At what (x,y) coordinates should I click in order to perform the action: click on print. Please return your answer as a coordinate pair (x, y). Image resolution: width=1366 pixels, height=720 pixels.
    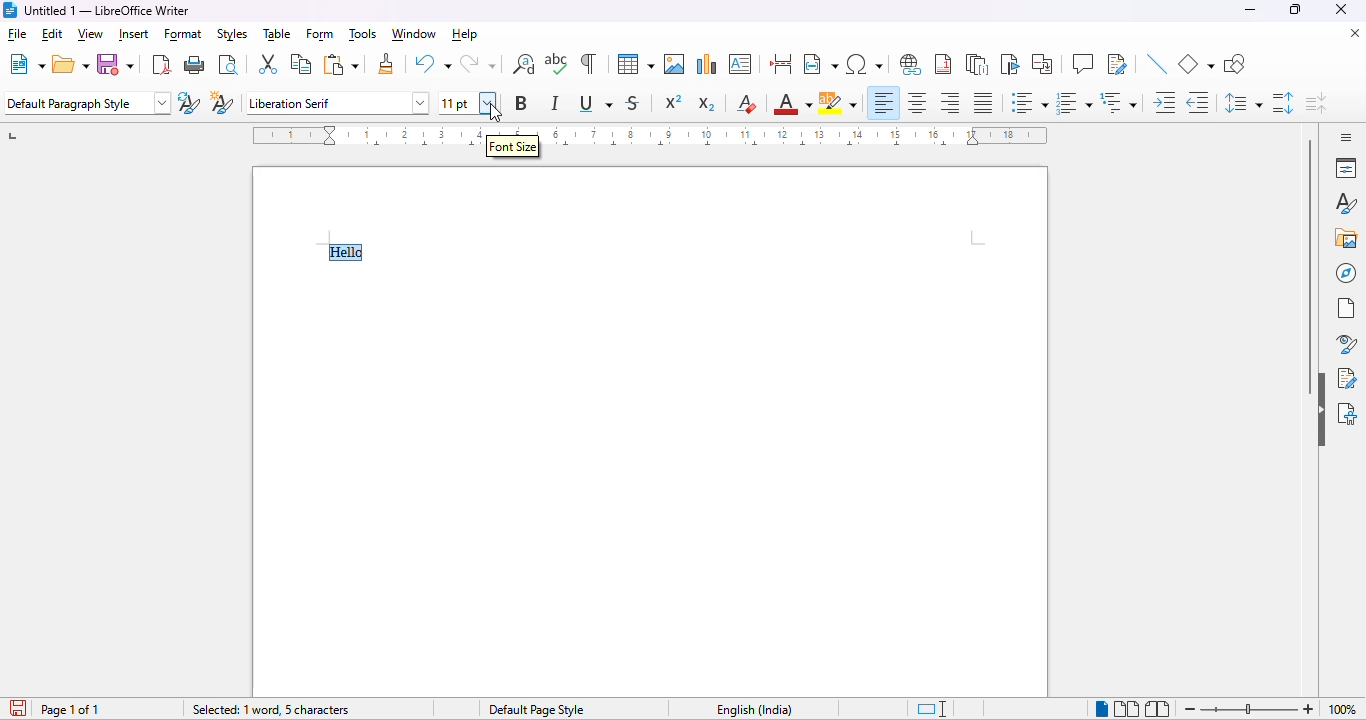
    Looking at the image, I should click on (196, 65).